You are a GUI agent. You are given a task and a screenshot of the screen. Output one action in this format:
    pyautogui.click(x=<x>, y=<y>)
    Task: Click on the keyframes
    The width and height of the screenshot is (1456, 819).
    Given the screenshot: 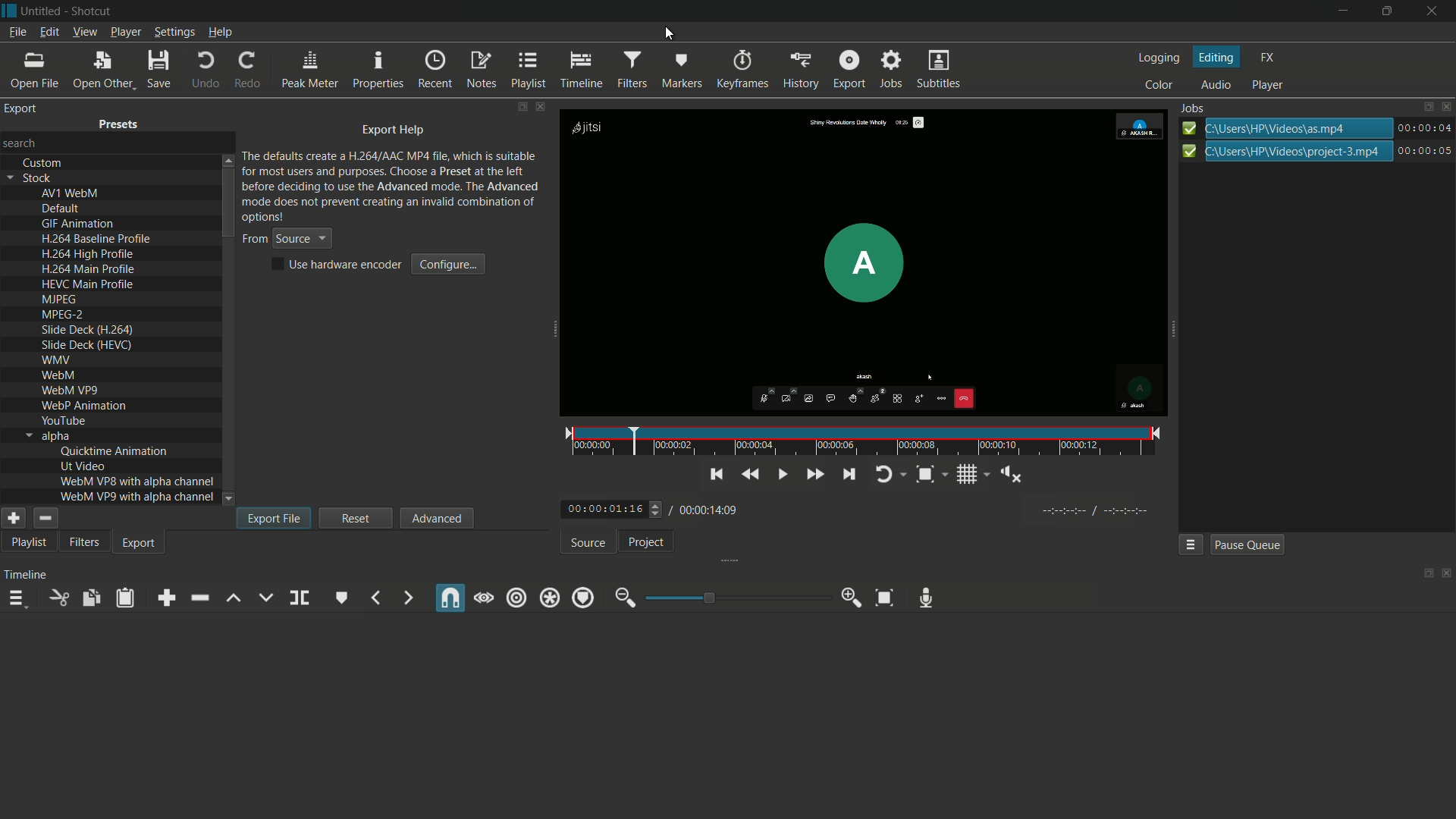 What is the action you would take?
    pyautogui.click(x=743, y=71)
    